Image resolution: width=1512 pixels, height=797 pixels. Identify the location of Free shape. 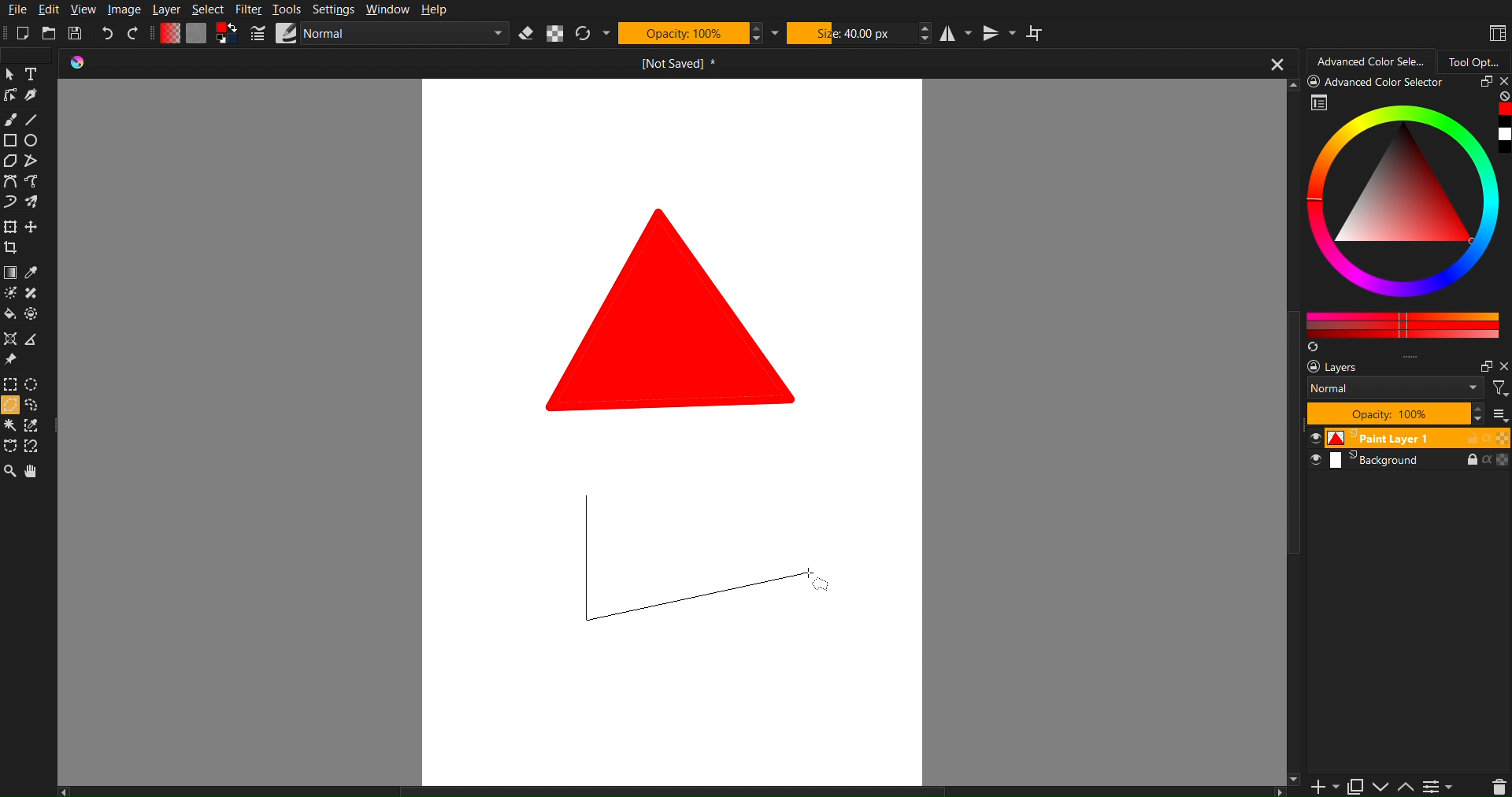
(32, 202).